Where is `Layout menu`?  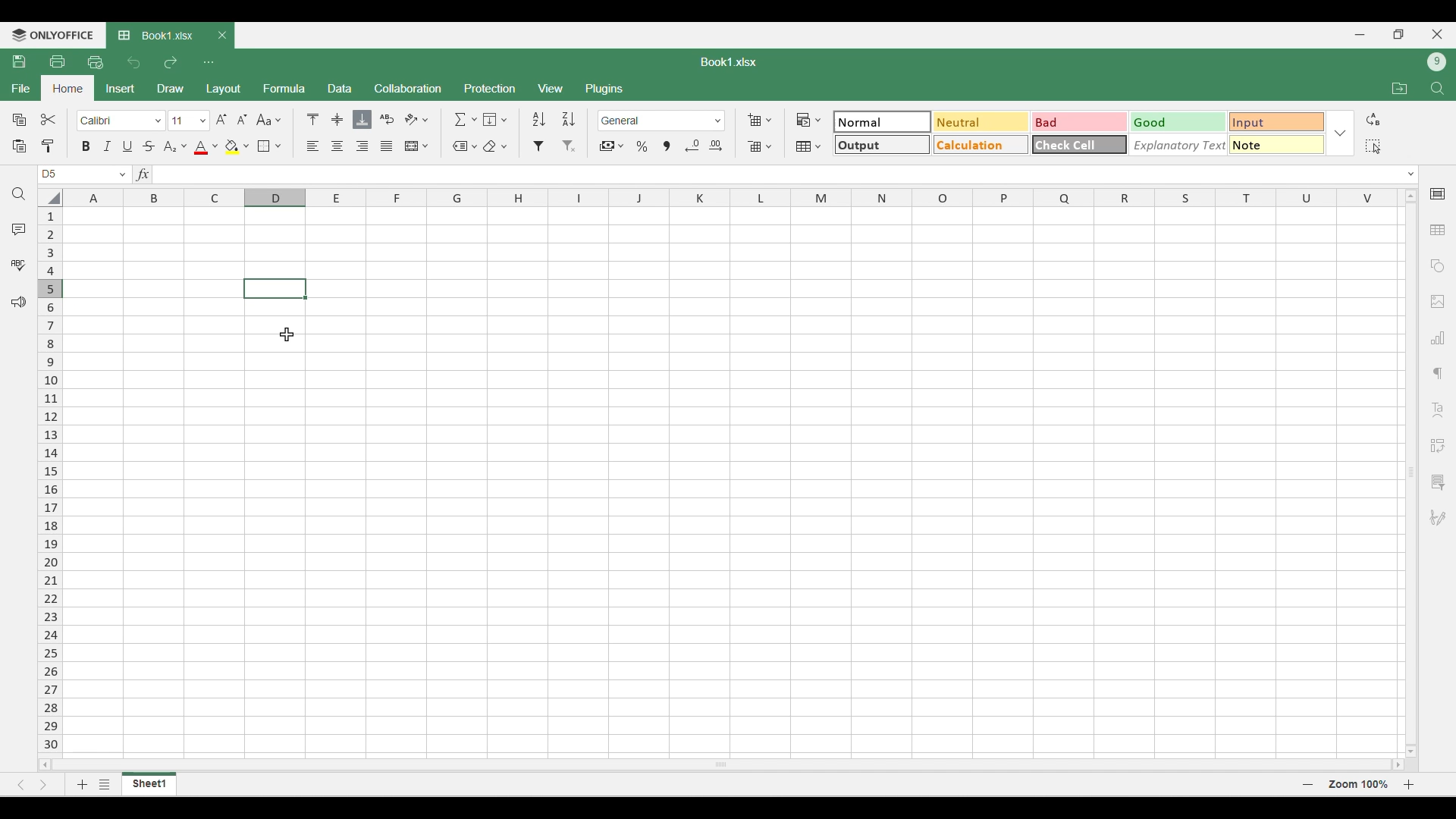 Layout menu is located at coordinates (224, 89).